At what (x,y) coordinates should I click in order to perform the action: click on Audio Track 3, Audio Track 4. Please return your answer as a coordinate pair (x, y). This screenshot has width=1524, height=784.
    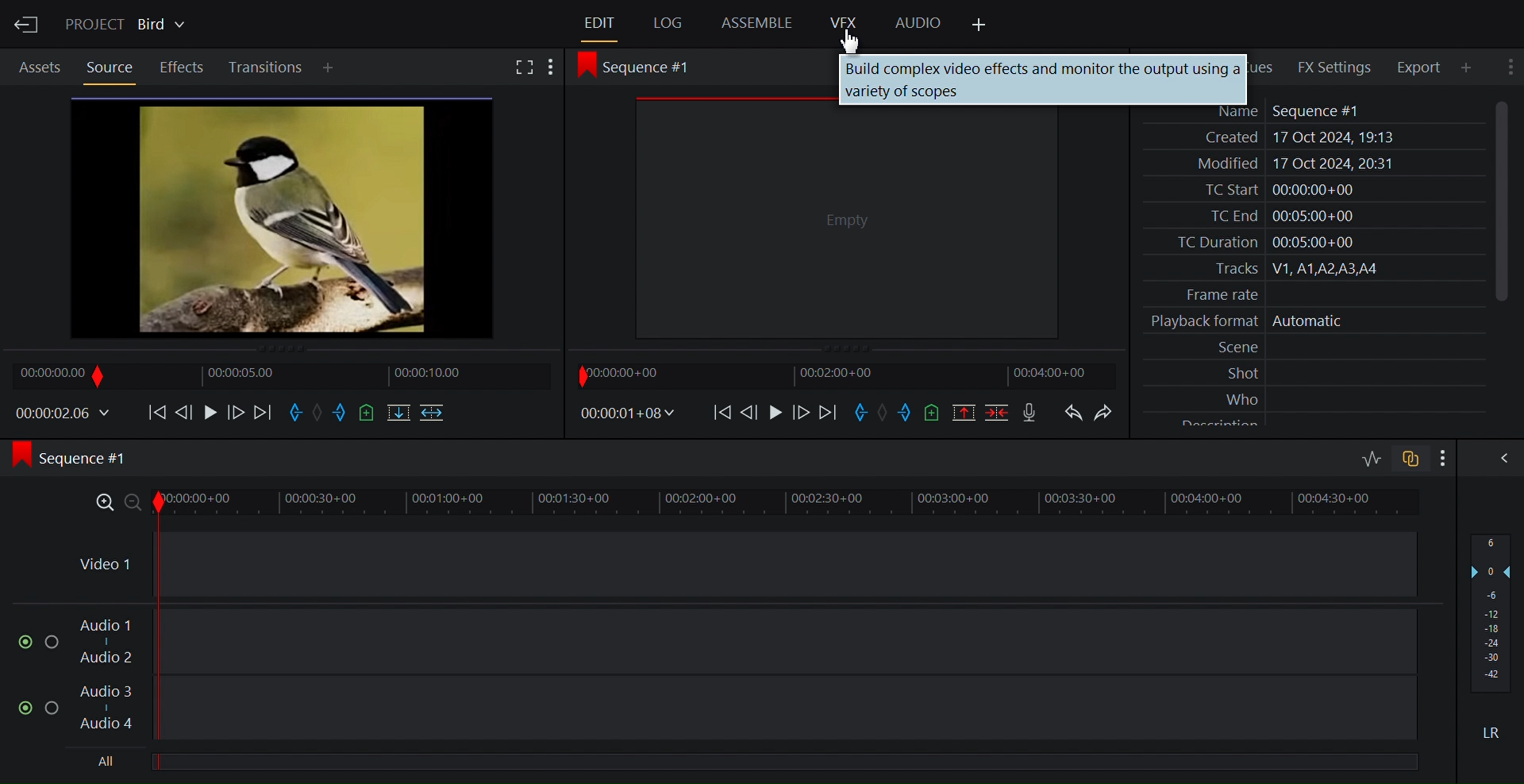
    Looking at the image, I should click on (742, 710).